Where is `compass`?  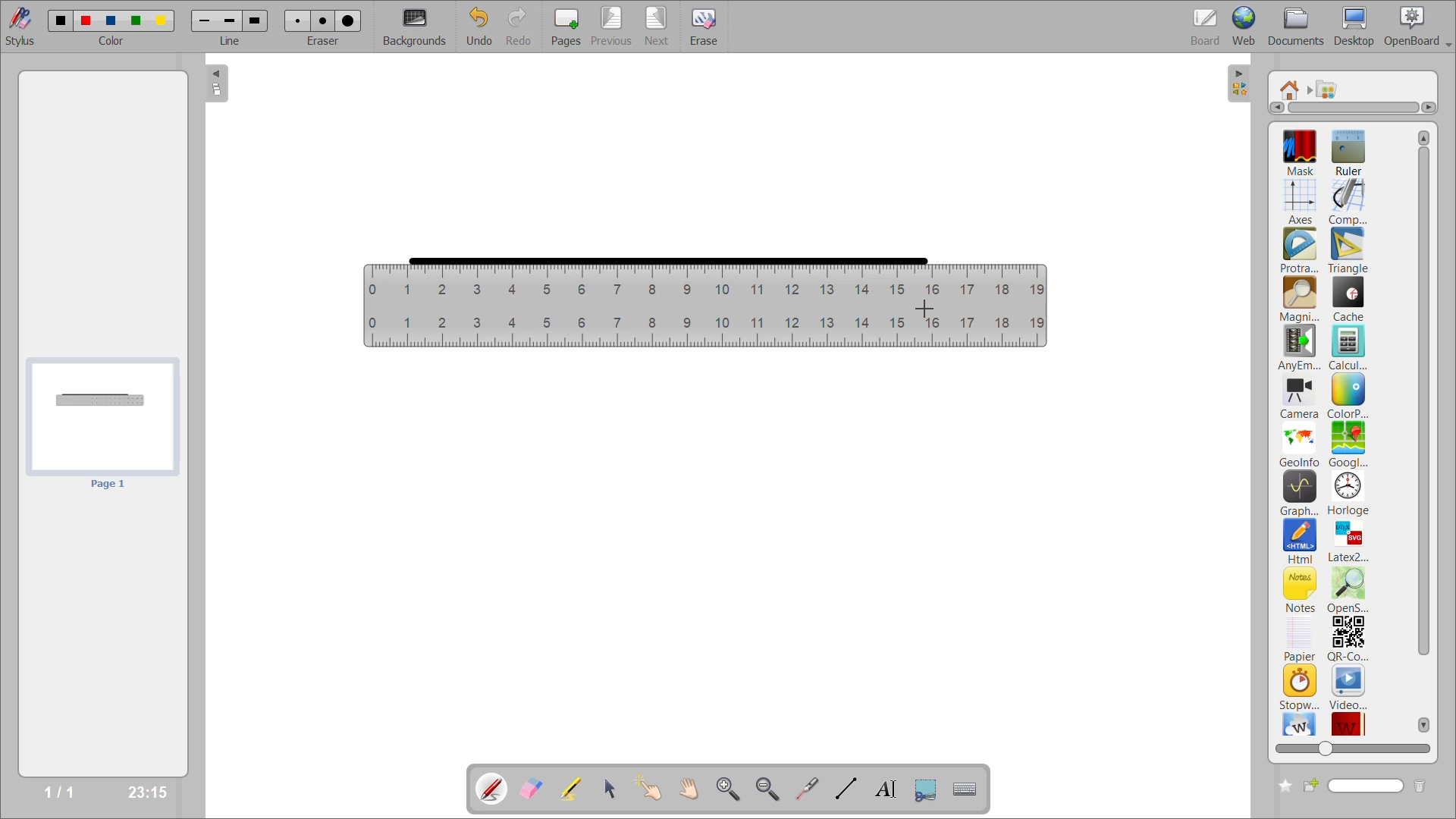 compass is located at coordinates (1348, 202).